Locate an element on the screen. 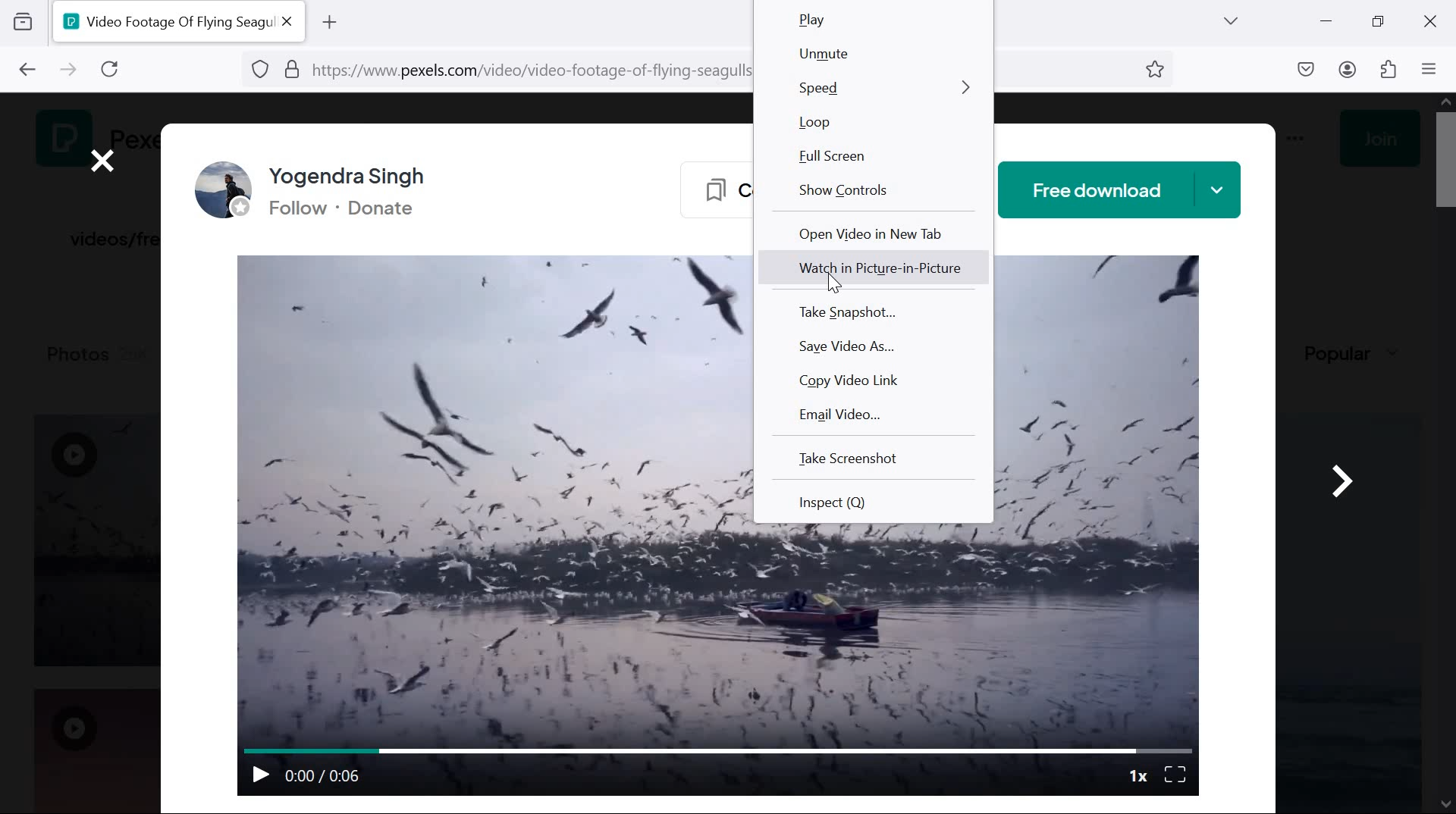 The height and width of the screenshot is (814, 1456). minimize is located at coordinates (1324, 19).